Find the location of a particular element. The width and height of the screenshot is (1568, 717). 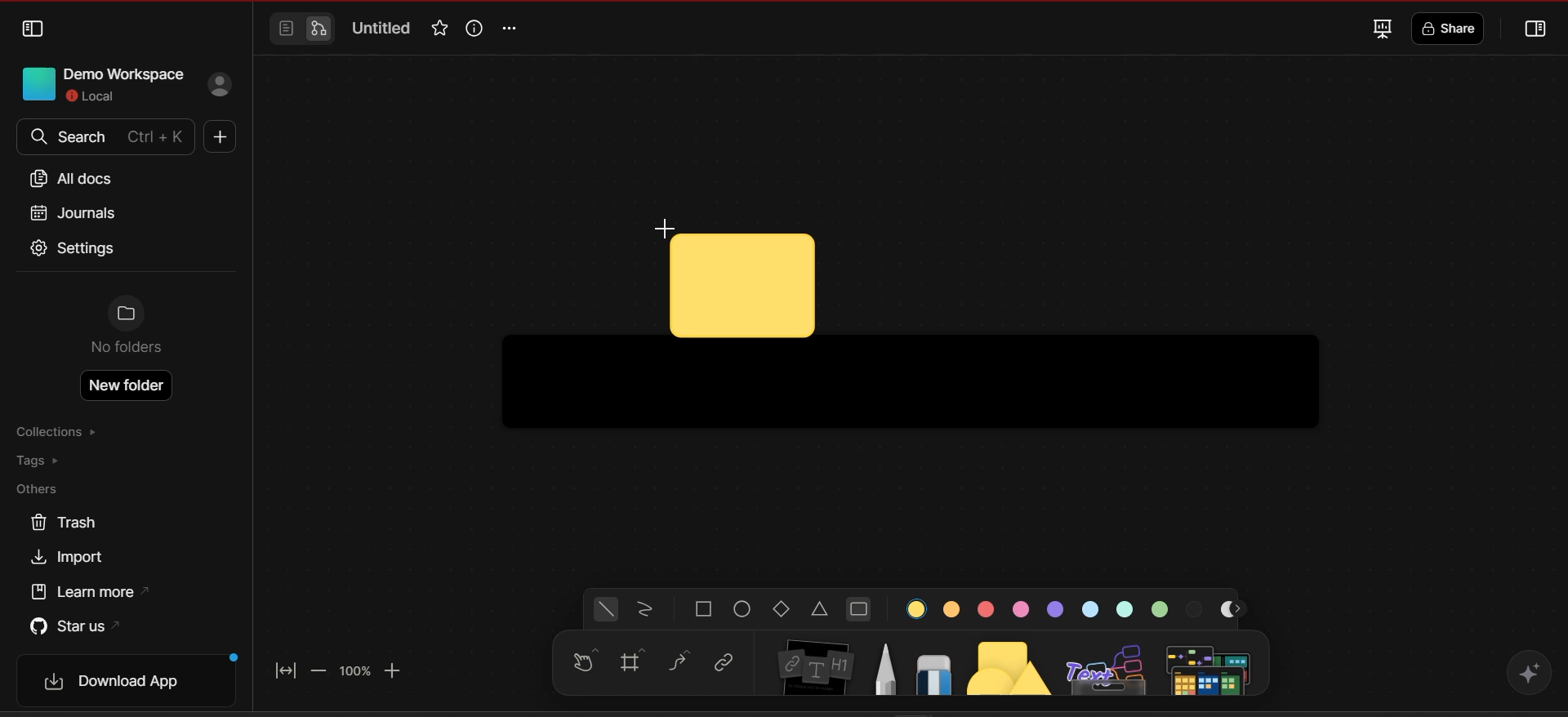

zoom factor is located at coordinates (354, 671).